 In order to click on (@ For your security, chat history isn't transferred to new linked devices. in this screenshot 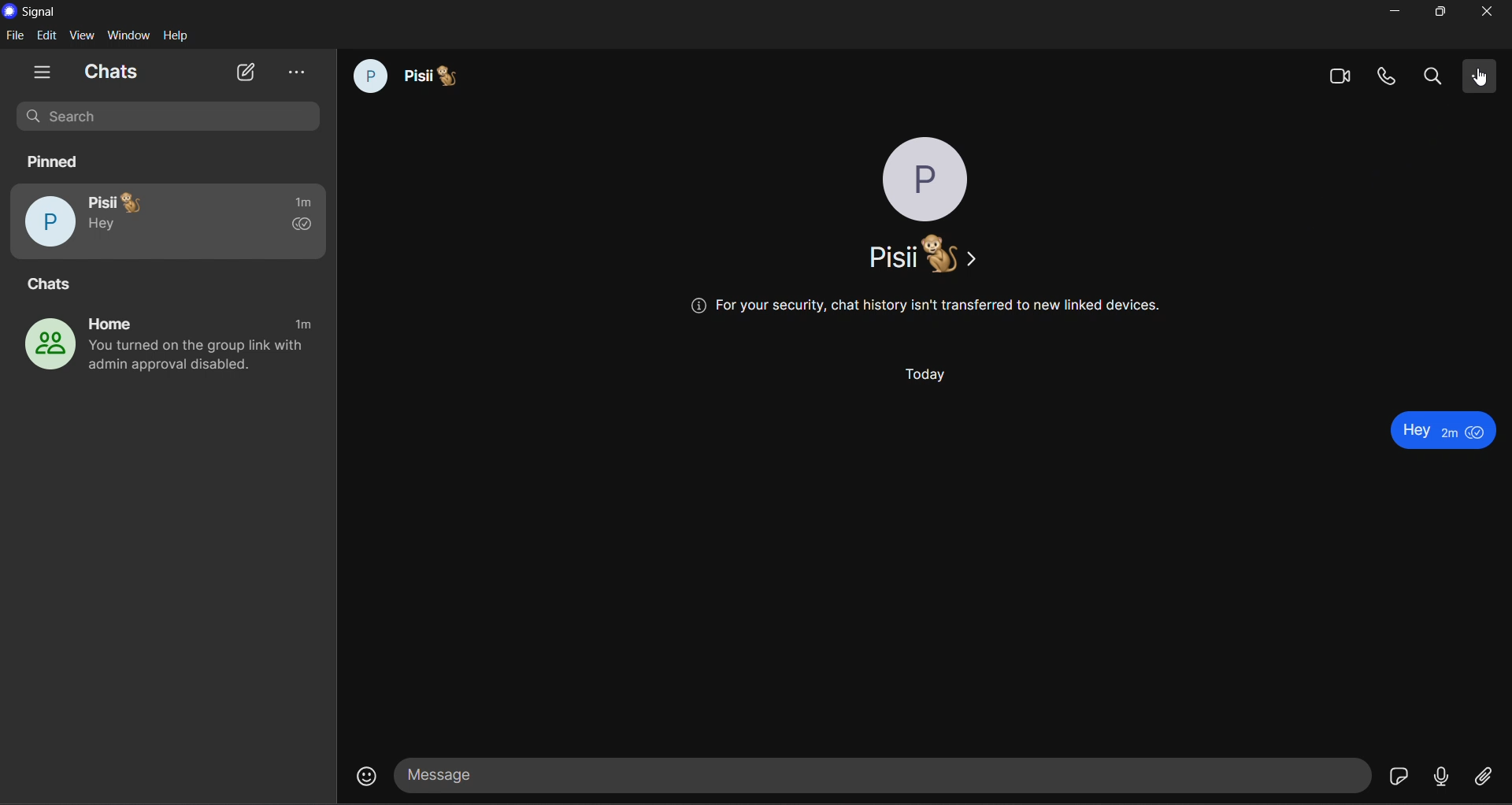, I will do `click(929, 309)`.